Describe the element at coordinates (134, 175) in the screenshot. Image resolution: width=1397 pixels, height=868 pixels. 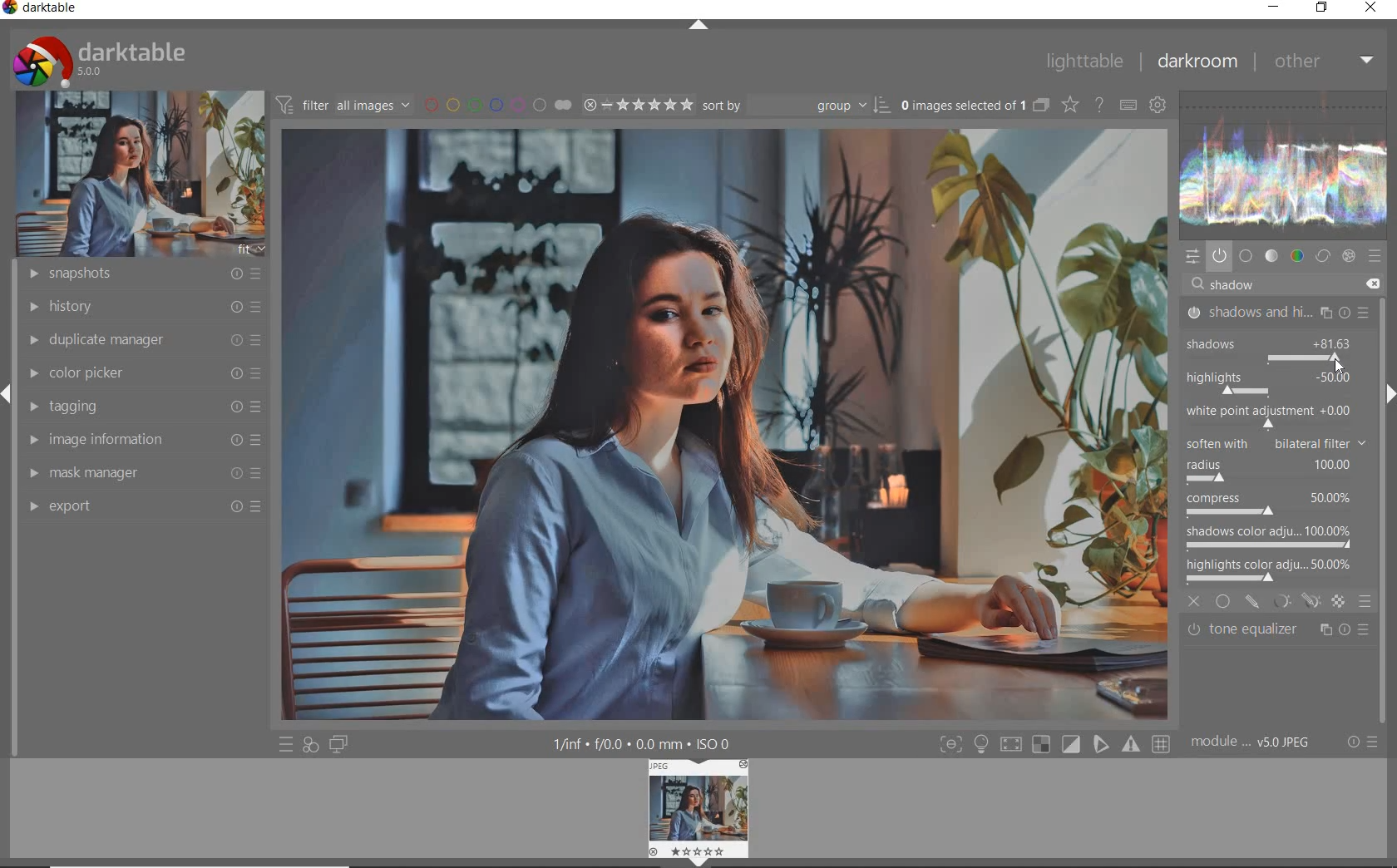
I see `image` at that location.